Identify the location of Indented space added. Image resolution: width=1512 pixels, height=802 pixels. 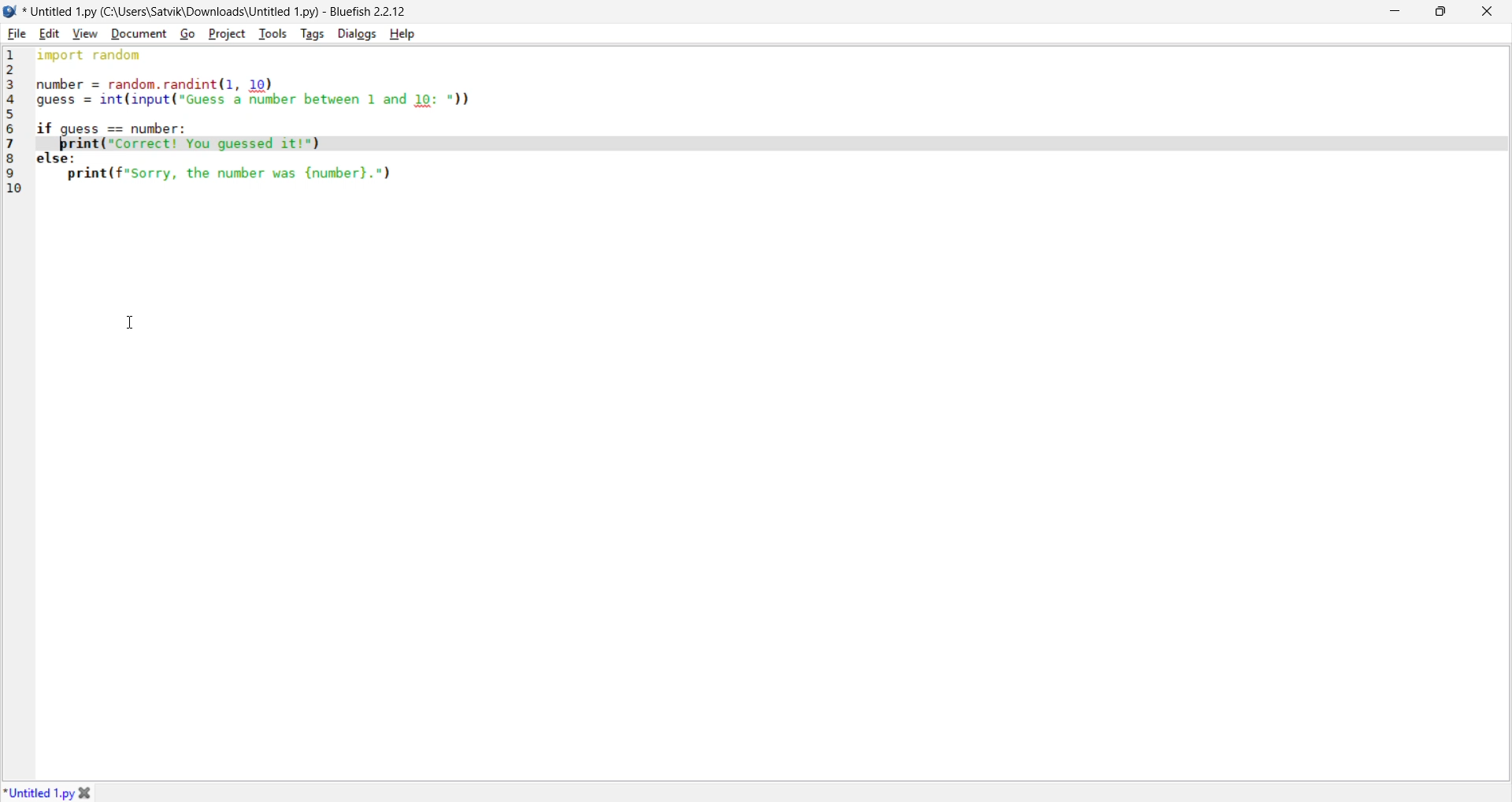
(710, 144).